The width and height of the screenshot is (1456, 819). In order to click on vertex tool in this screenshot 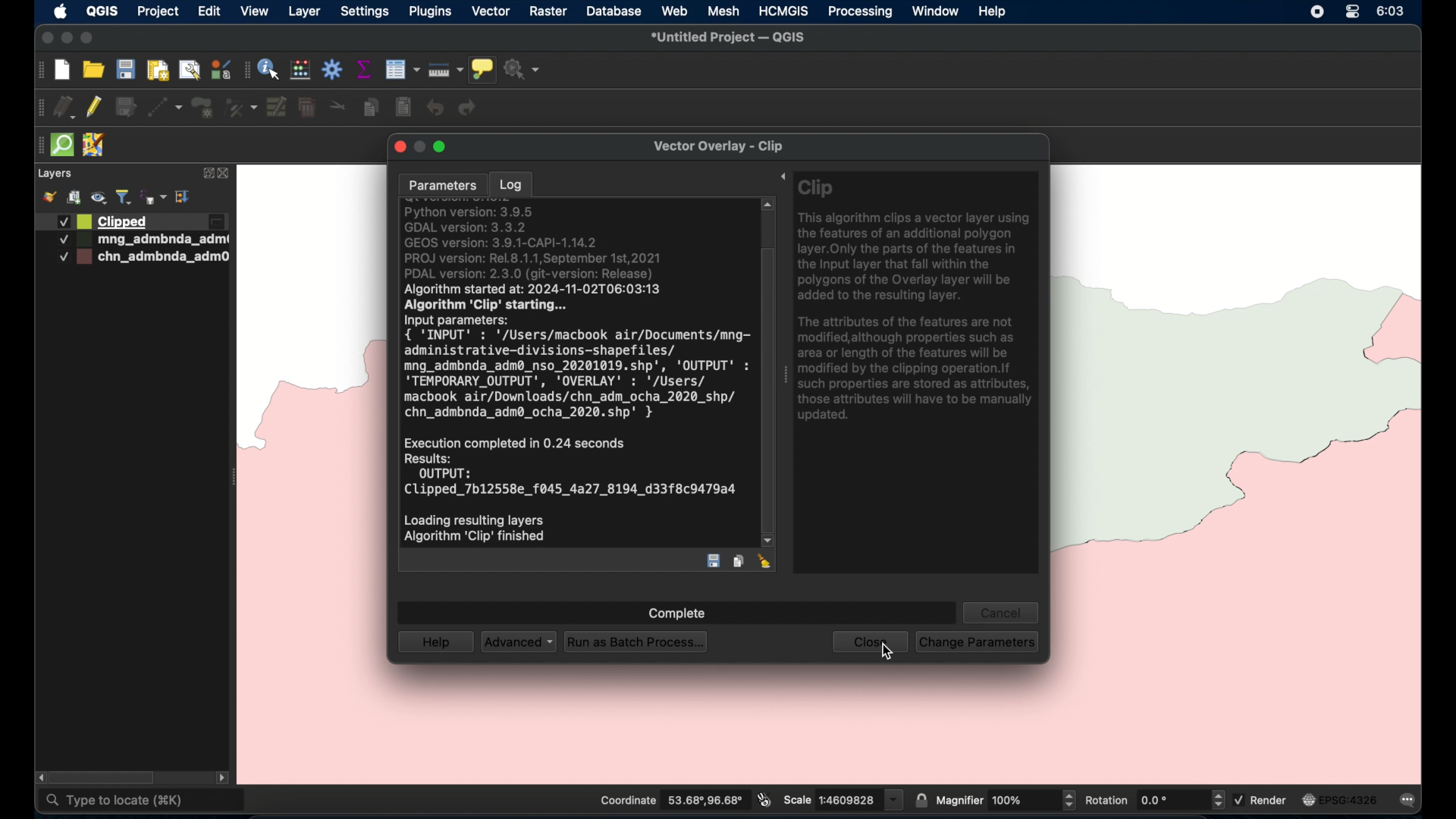, I will do `click(241, 108)`.